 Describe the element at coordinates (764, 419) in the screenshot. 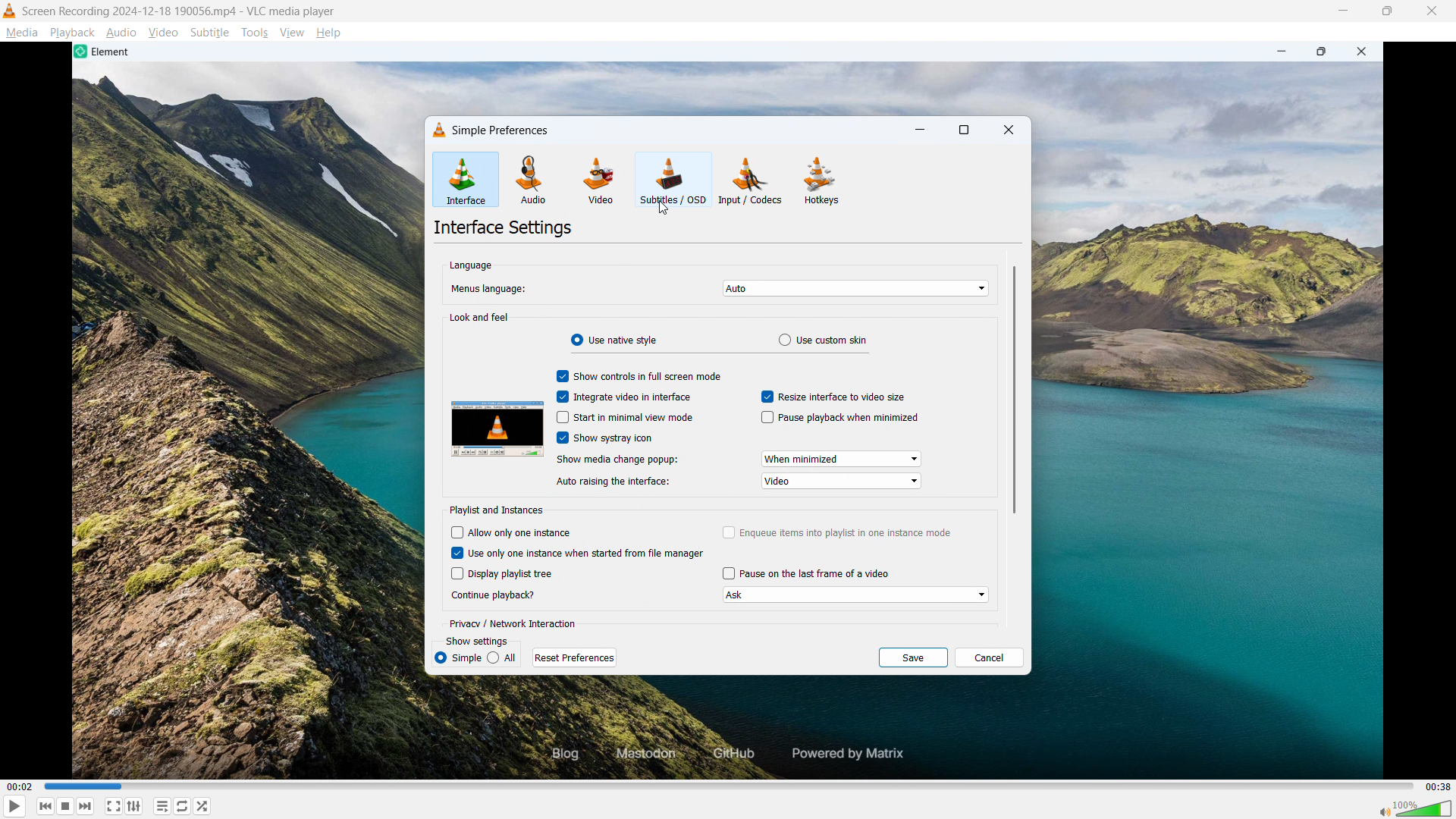

I see `checkbox` at that location.